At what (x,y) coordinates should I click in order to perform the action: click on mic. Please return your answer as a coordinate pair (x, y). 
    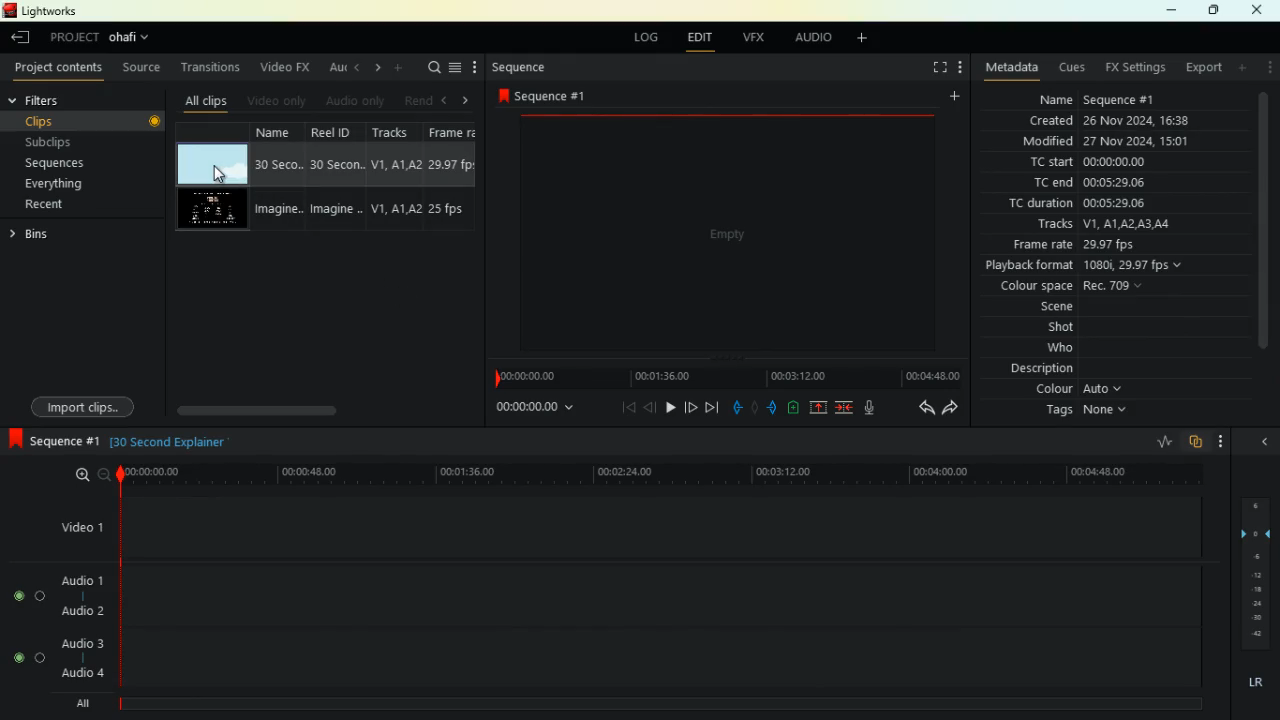
    Looking at the image, I should click on (868, 408).